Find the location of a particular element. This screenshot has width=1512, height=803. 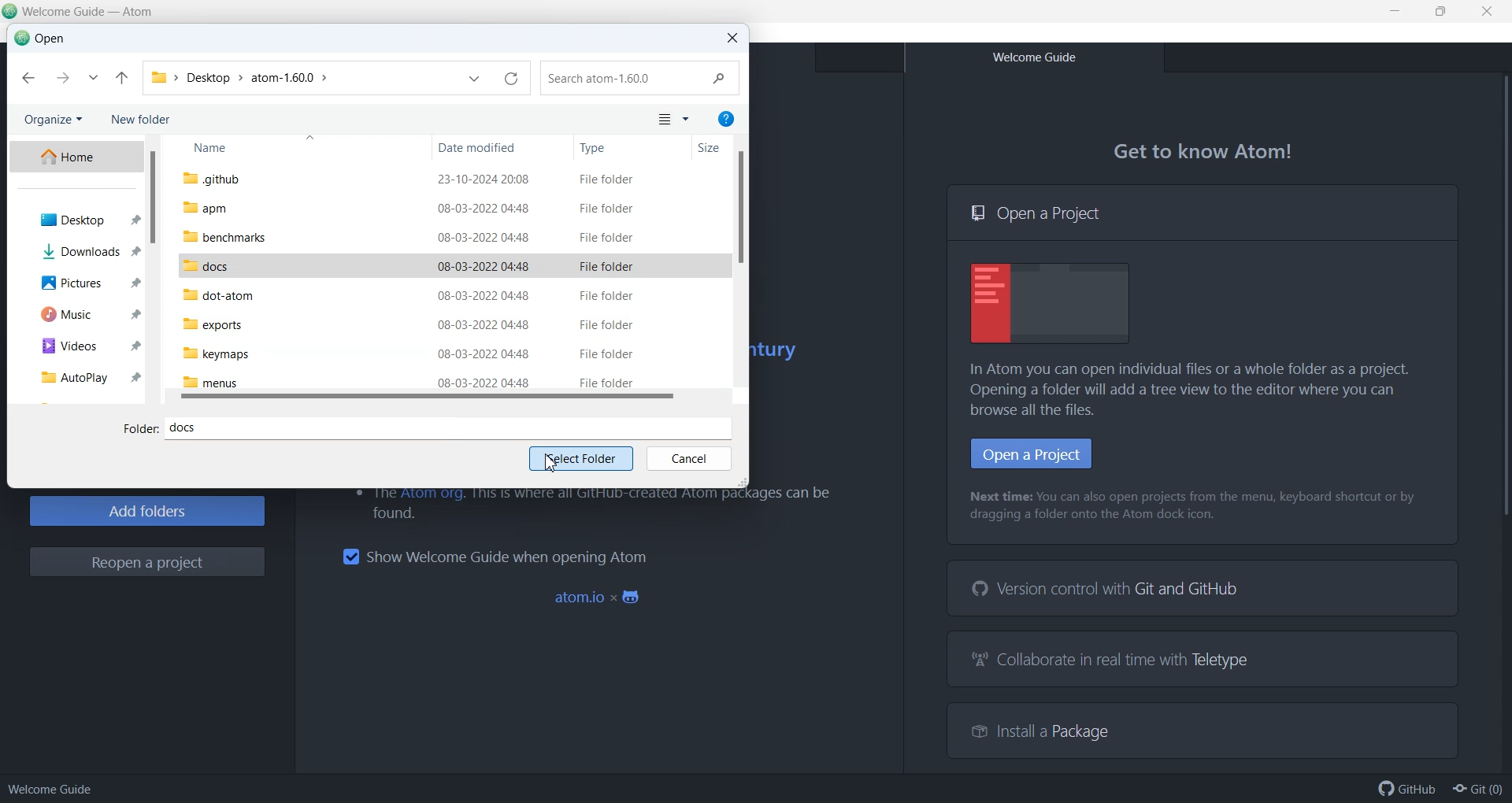

Install a Package is located at coordinates (1032, 729).